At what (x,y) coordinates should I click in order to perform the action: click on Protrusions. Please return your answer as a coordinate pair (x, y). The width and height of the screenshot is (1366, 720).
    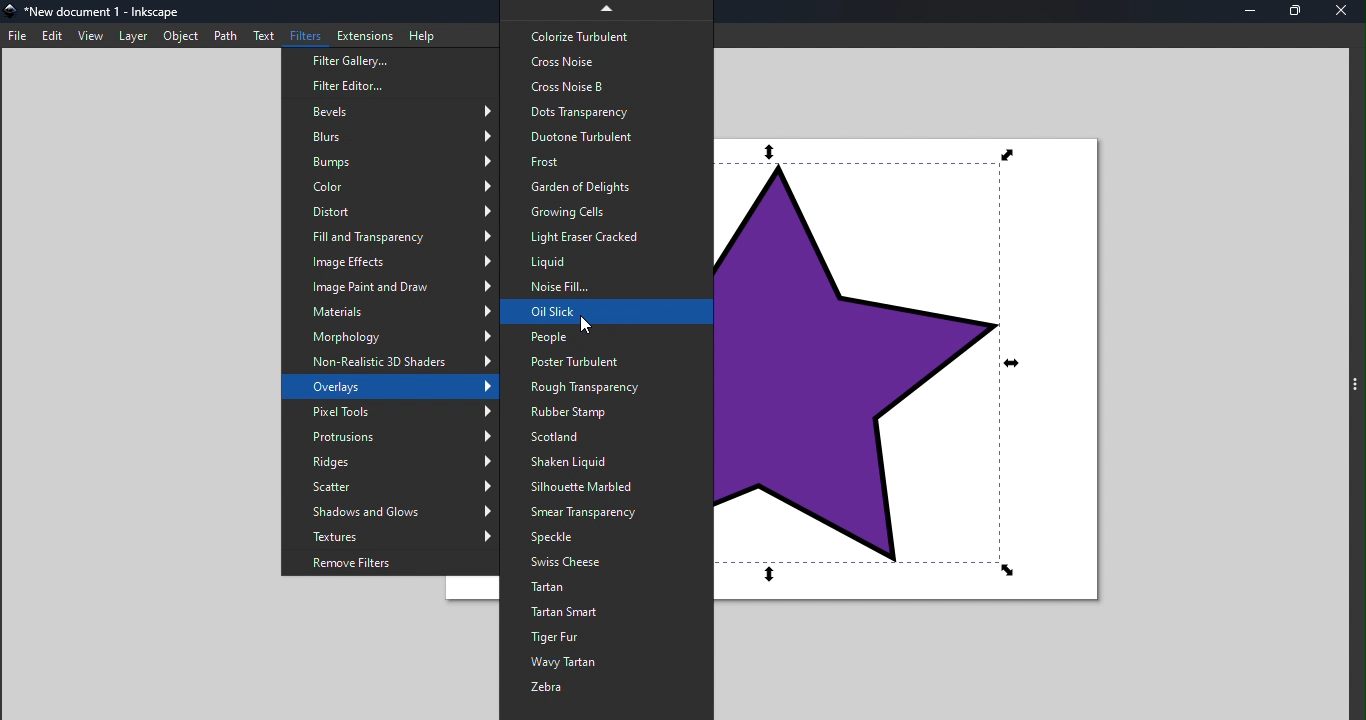
    Looking at the image, I should click on (393, 436).